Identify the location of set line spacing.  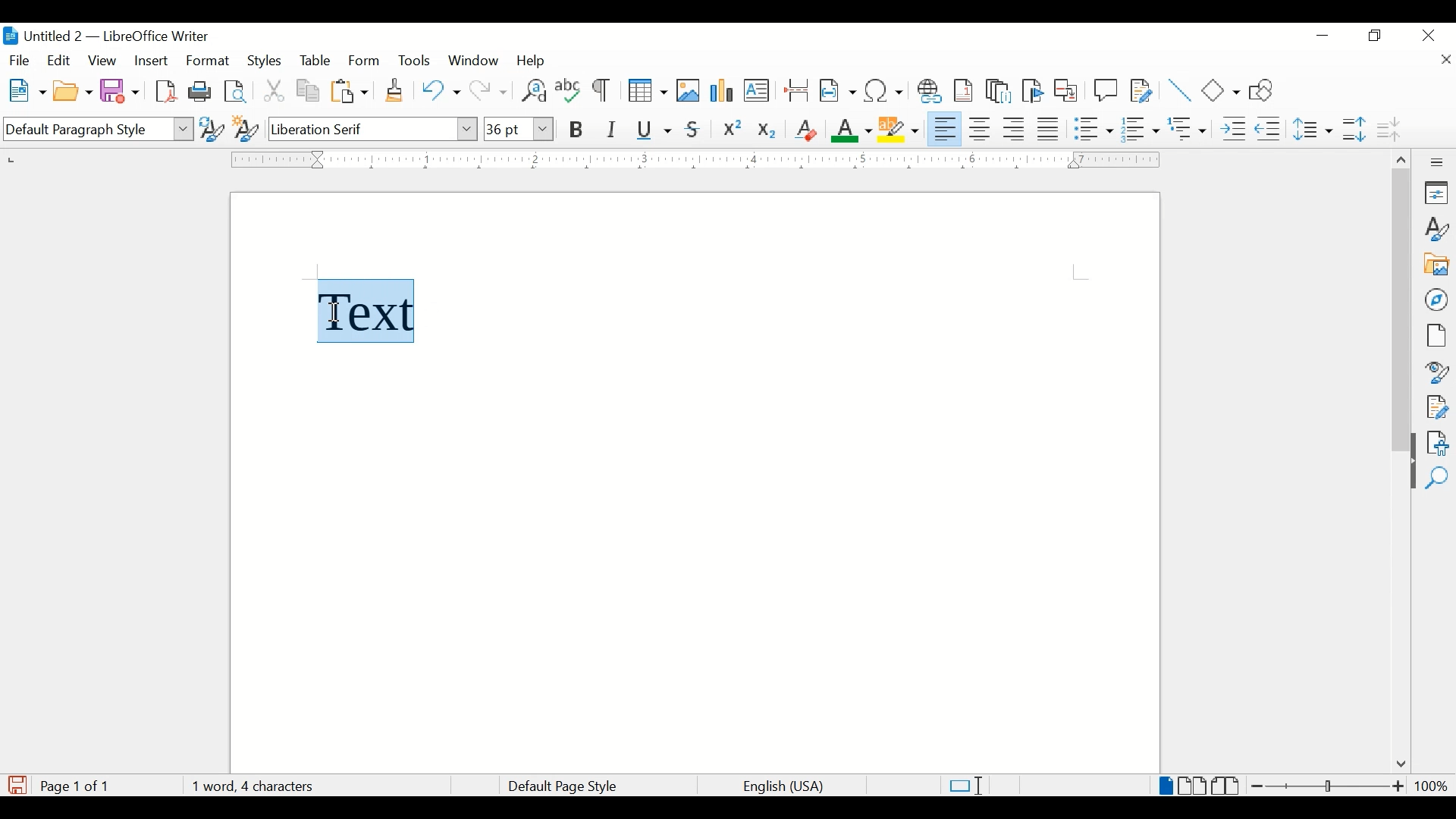
(1314, 129).